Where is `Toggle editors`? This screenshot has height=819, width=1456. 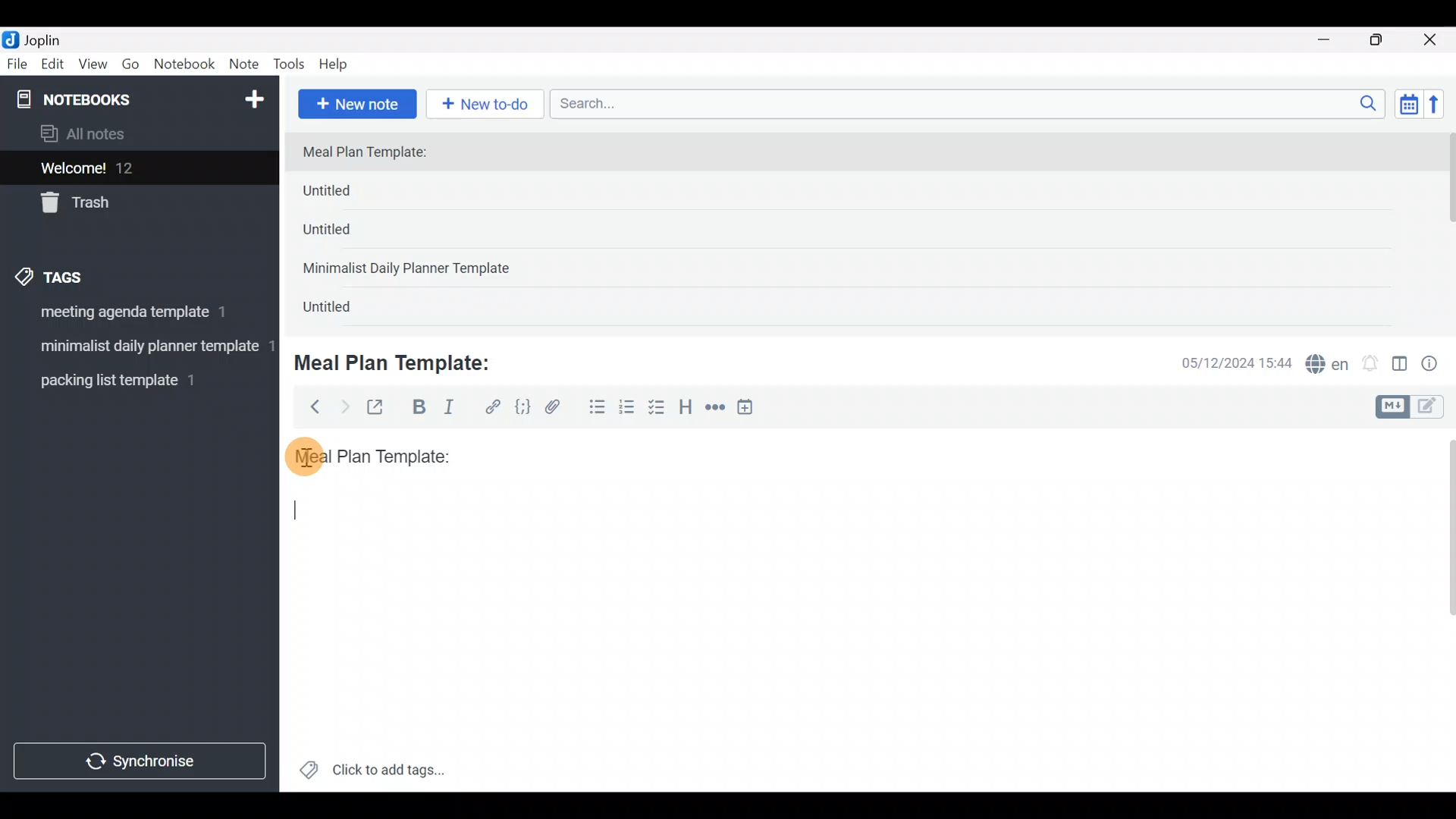
Toggle editors is located at coordinates (1414, 405).